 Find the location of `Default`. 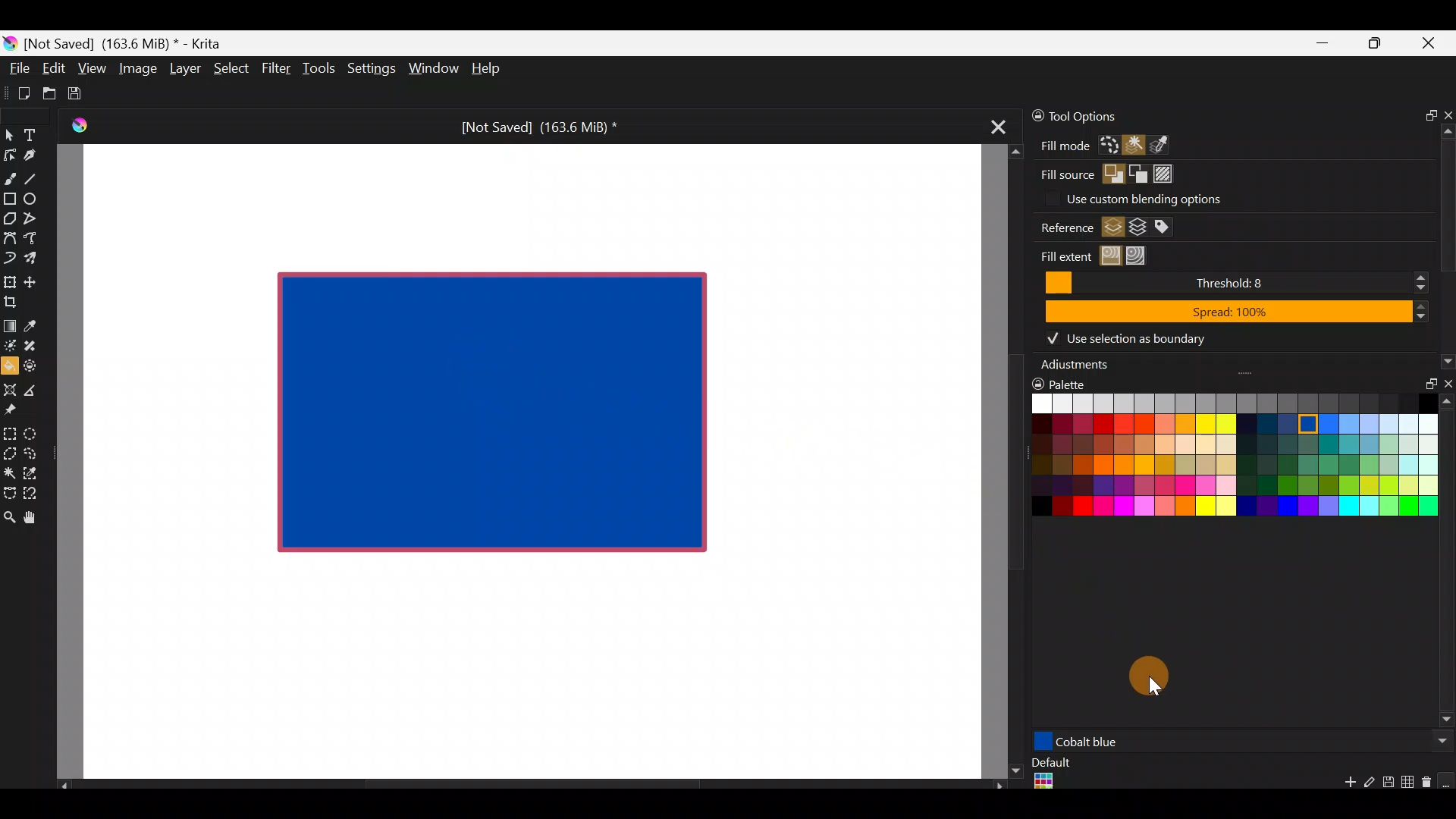

Default is located at coordinates (1050, 775).